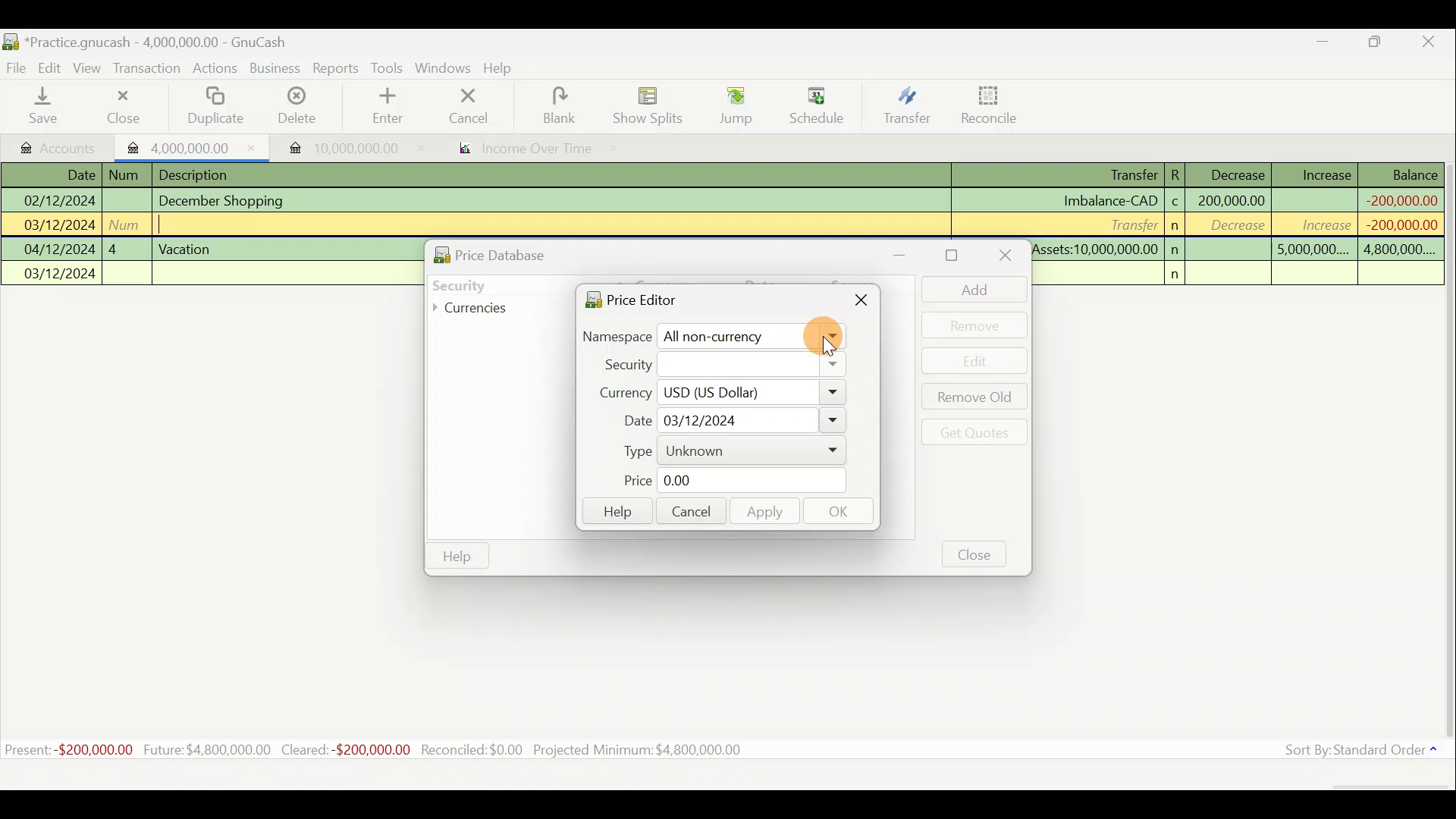  What do you see at coordinates (481, 309) in the screenshot?
I see `Currencies` at bounding box center [481, 309].